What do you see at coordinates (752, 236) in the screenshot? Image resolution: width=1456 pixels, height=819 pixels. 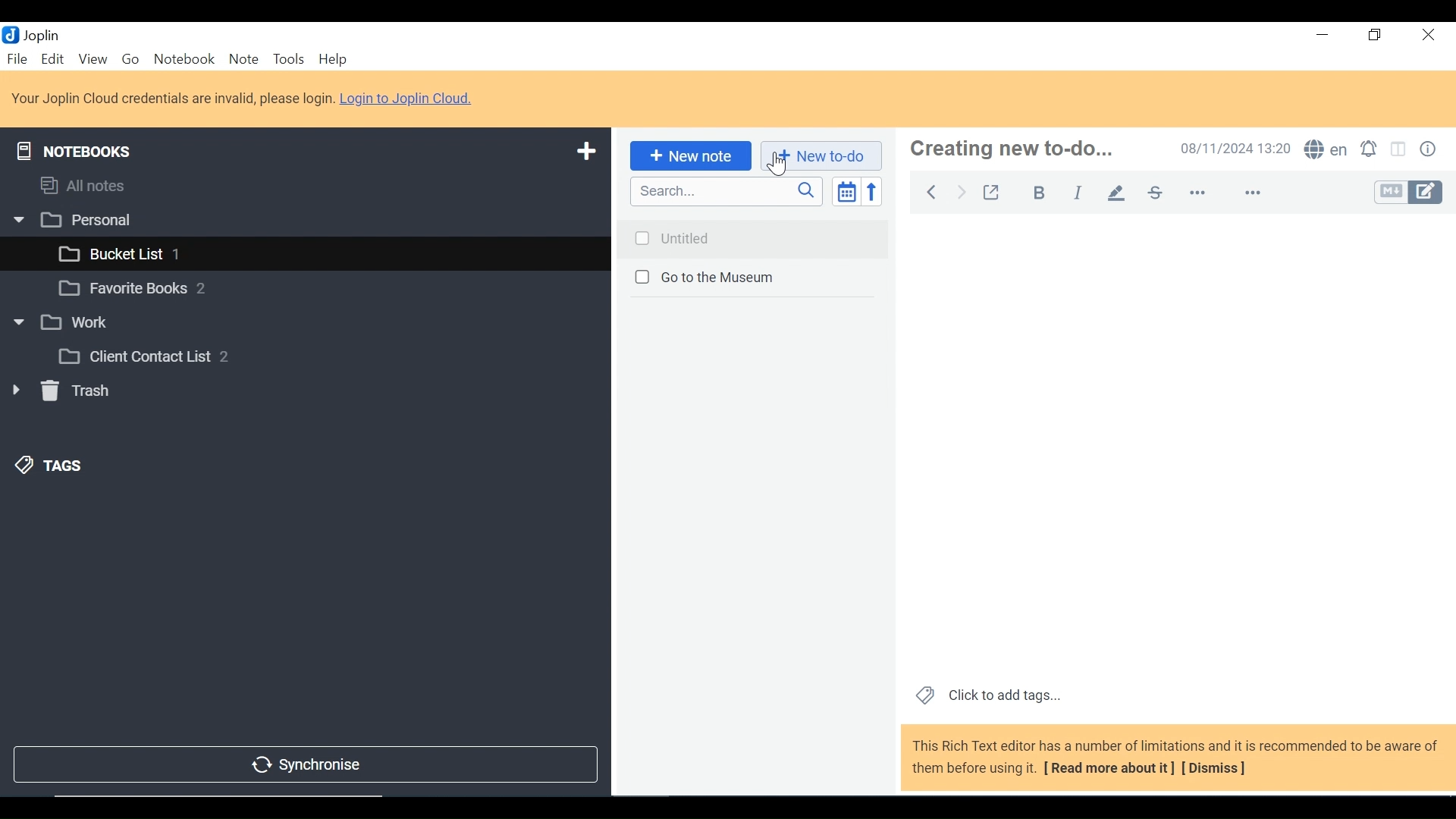 I see `Note Name` at bounding box center [752, 236].